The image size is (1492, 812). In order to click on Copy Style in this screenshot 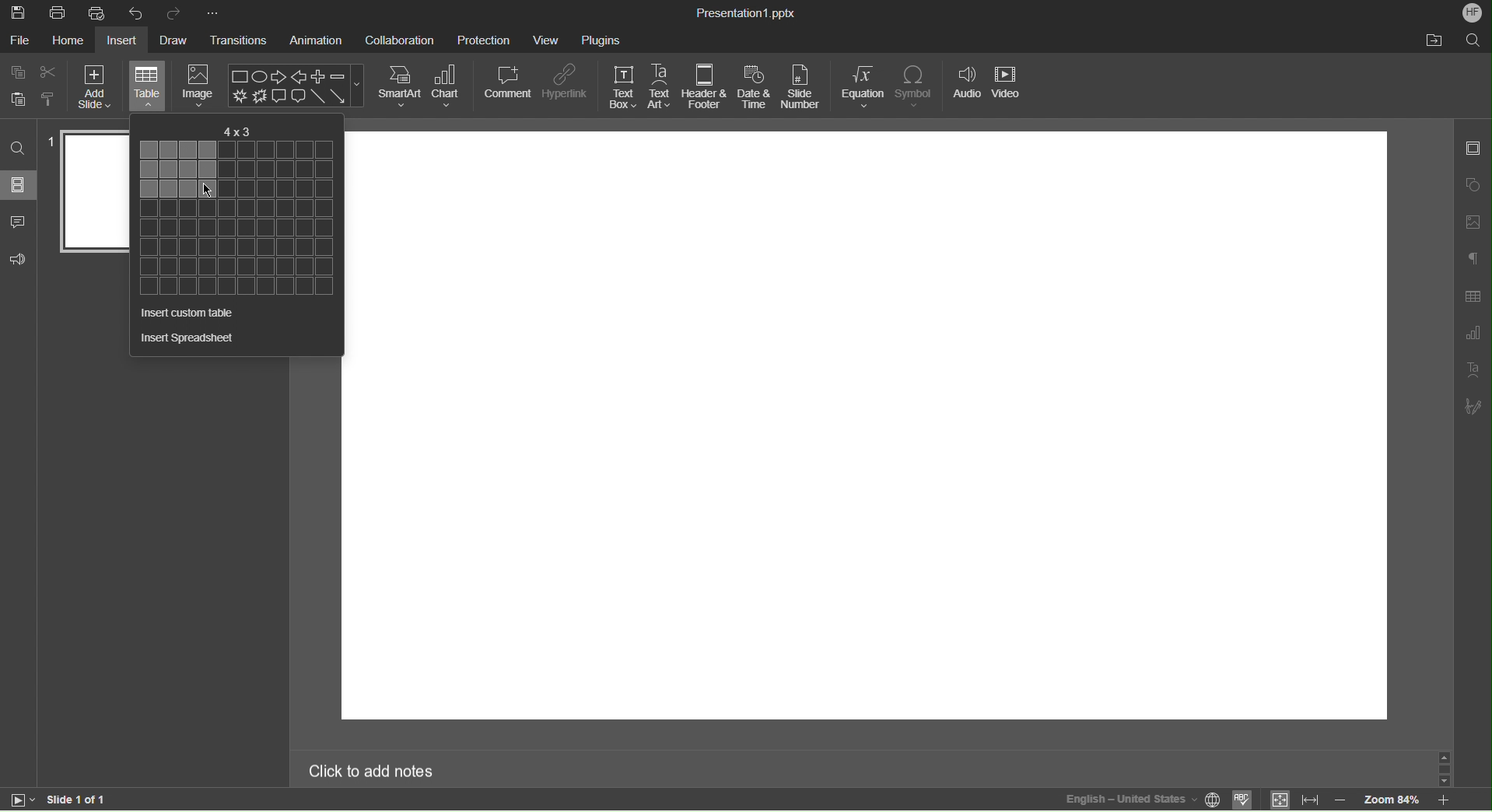, I will do `click(47, 99)`.